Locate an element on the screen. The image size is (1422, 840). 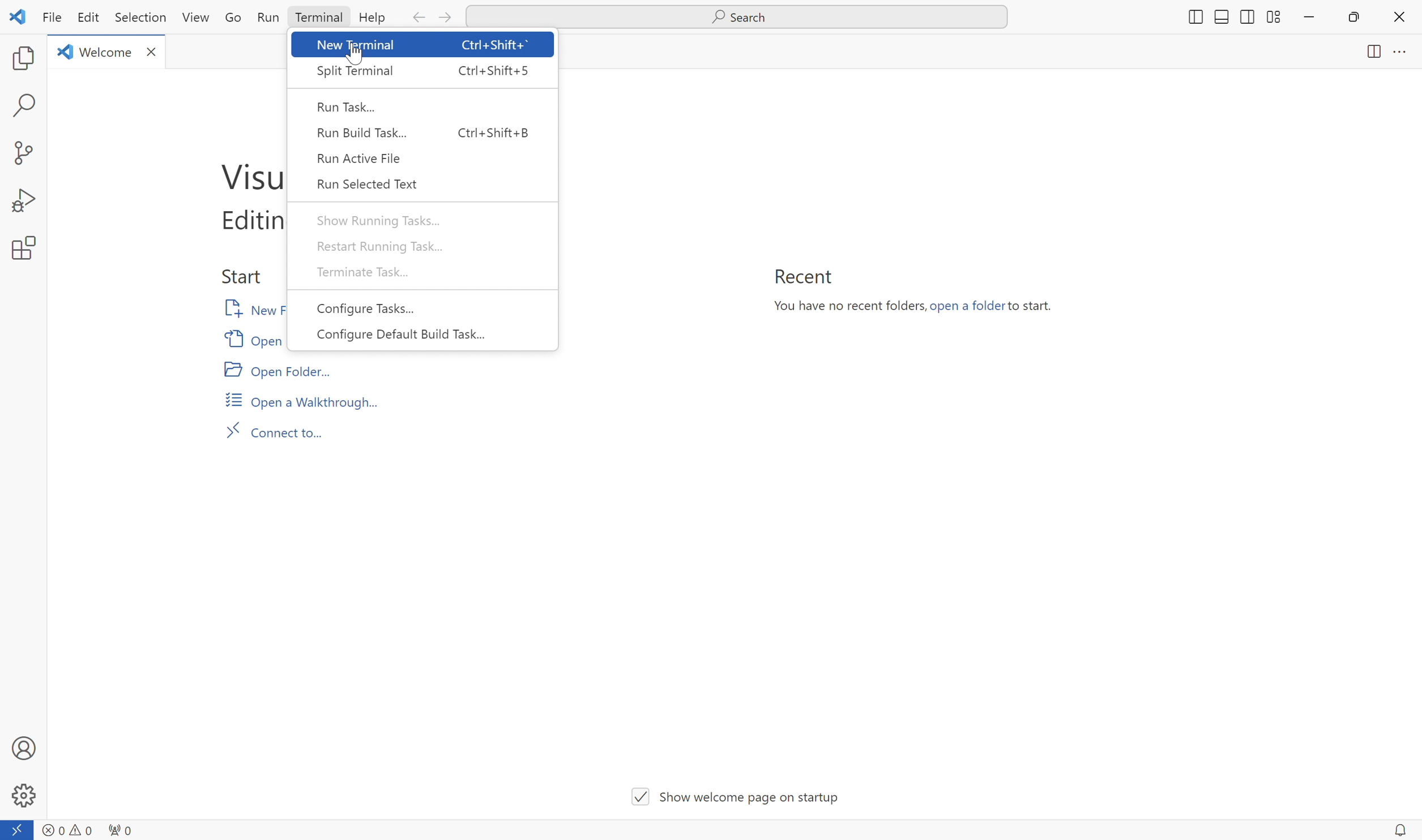
extensions is located at coordinates (22, 249).